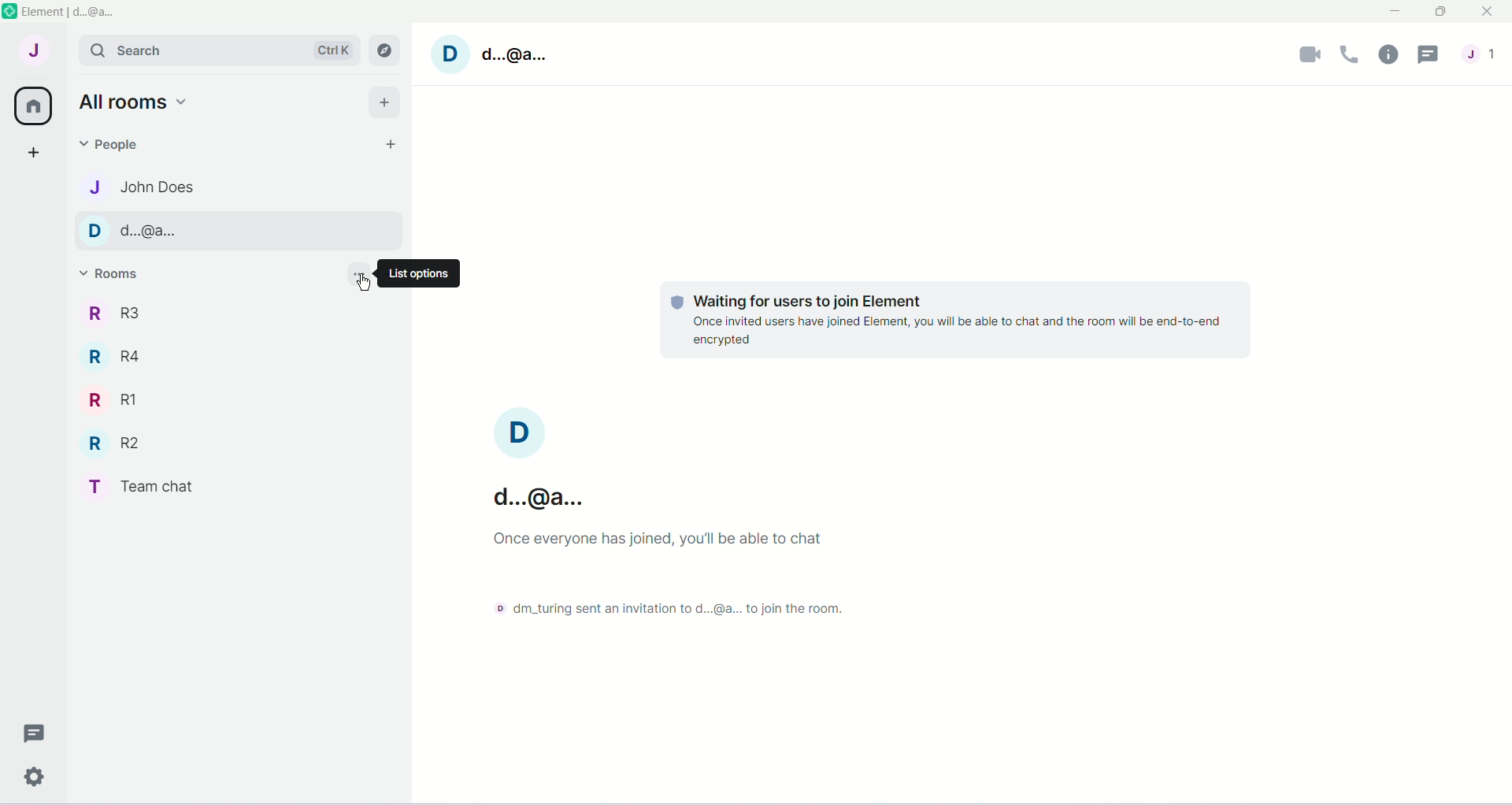 This screenshot has height=805, width=1512. I want to click on Close, so click(1489, 13).